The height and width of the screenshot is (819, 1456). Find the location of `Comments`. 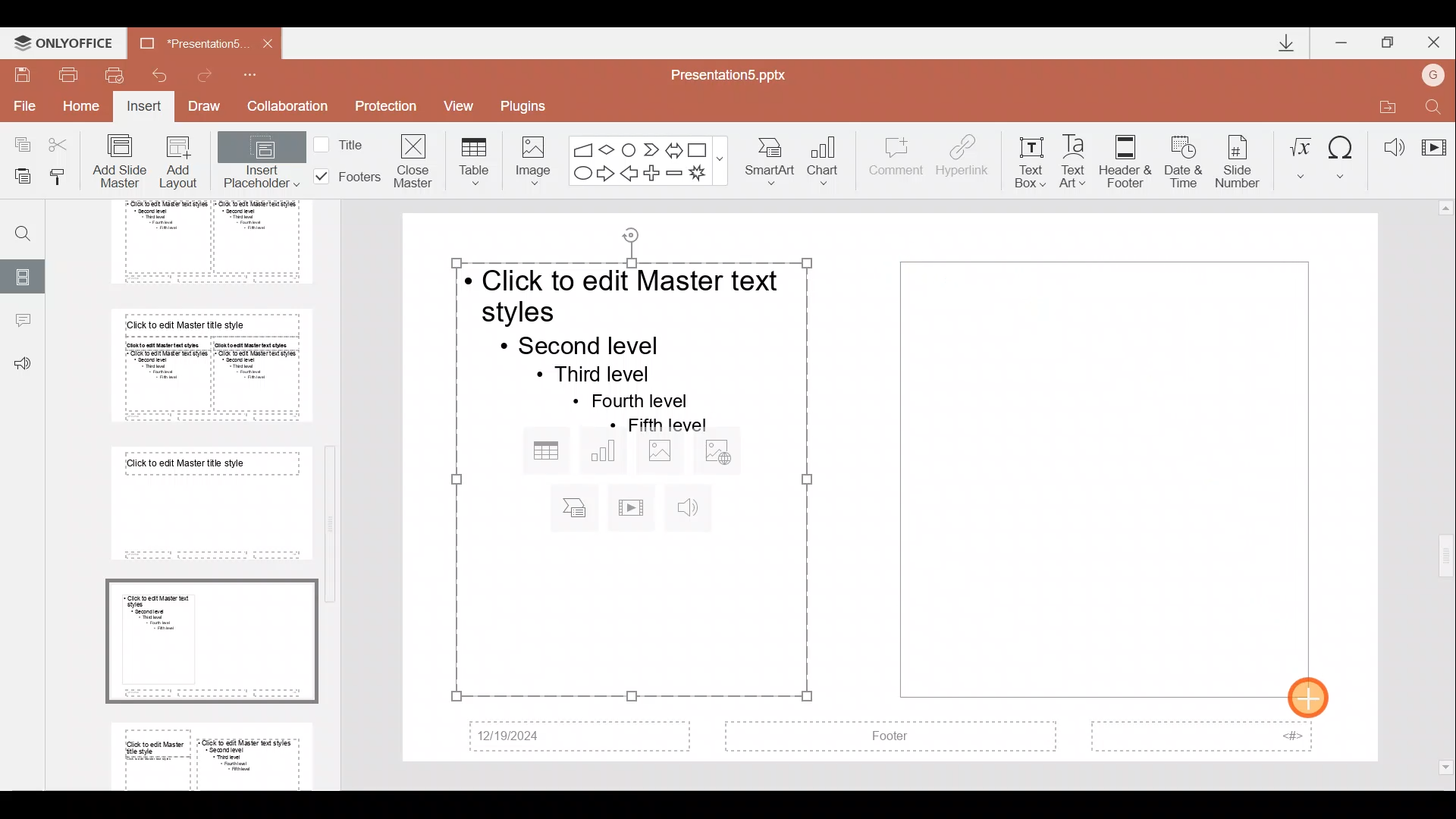

Comments is located at coordinates (22, 322).